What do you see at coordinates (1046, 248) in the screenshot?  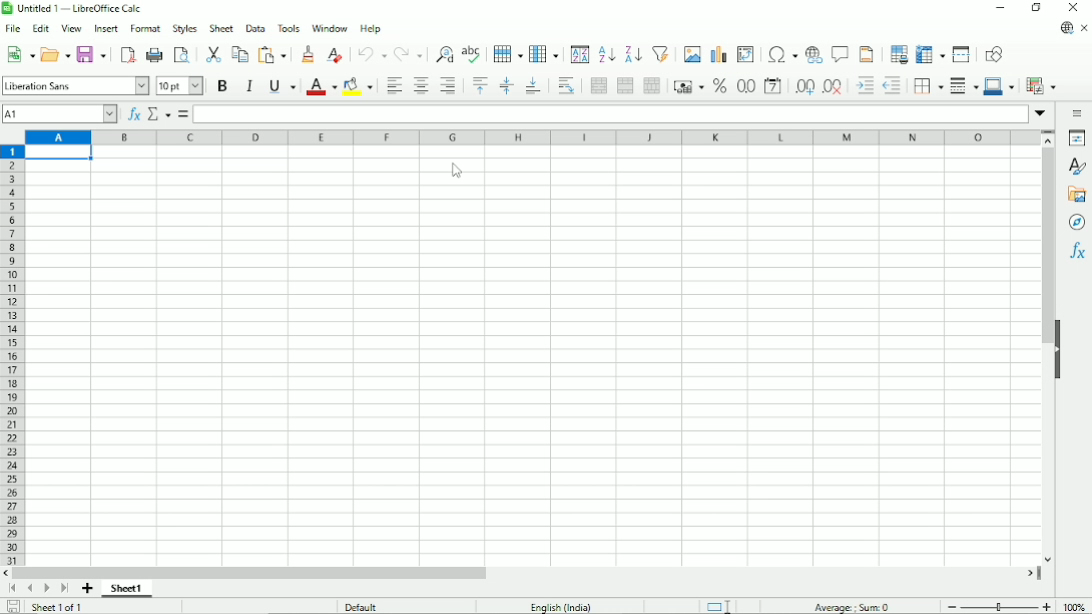 I see `Vertical scrollbar` at bounding box center [1046, 248].